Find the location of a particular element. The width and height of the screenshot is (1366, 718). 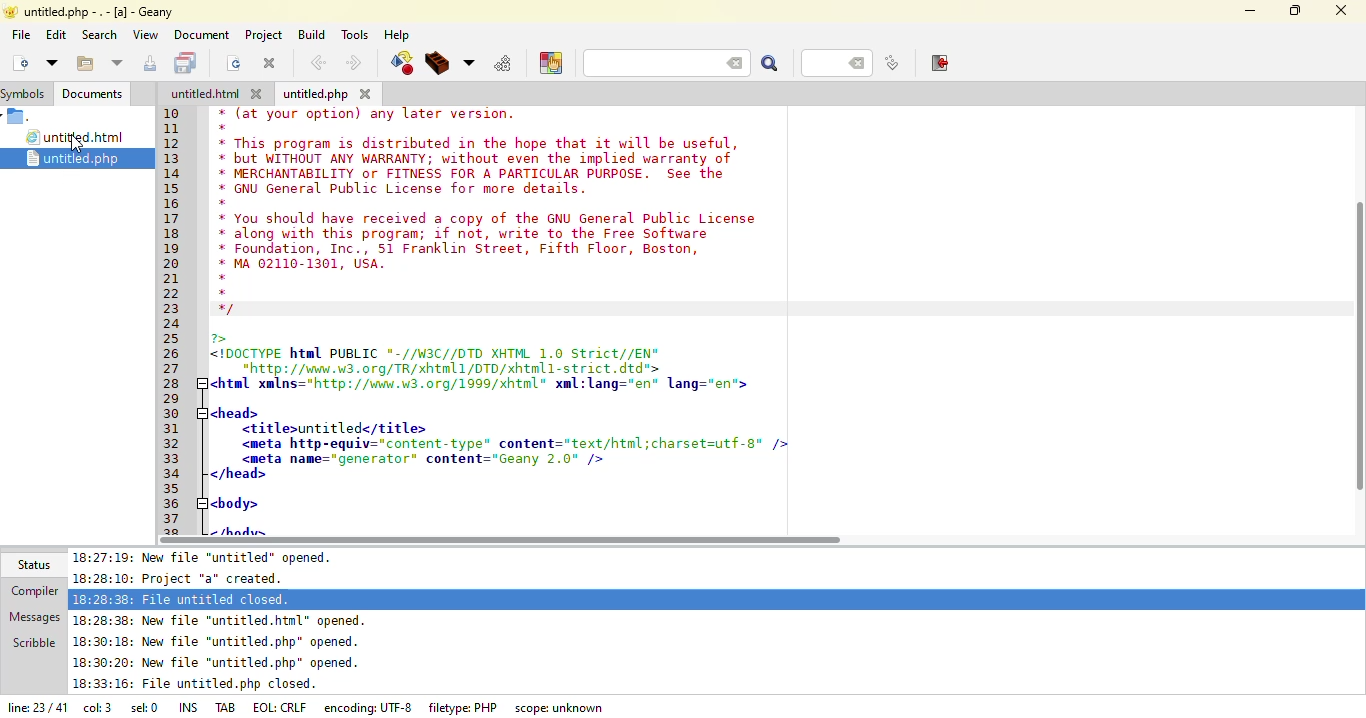

run or view is located at coordinates (503, 63).